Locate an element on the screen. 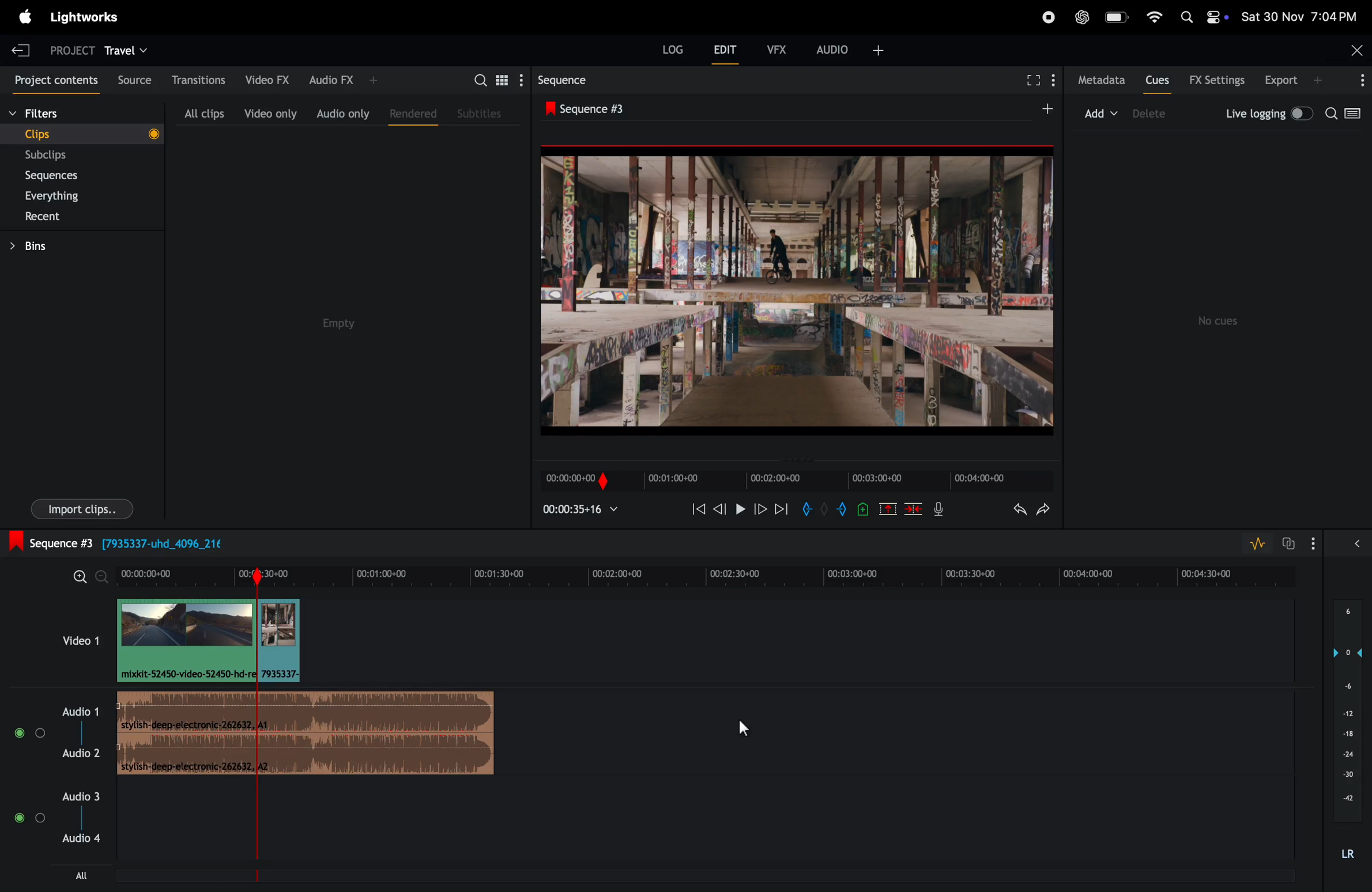  all is located at coordinates (75, 875).